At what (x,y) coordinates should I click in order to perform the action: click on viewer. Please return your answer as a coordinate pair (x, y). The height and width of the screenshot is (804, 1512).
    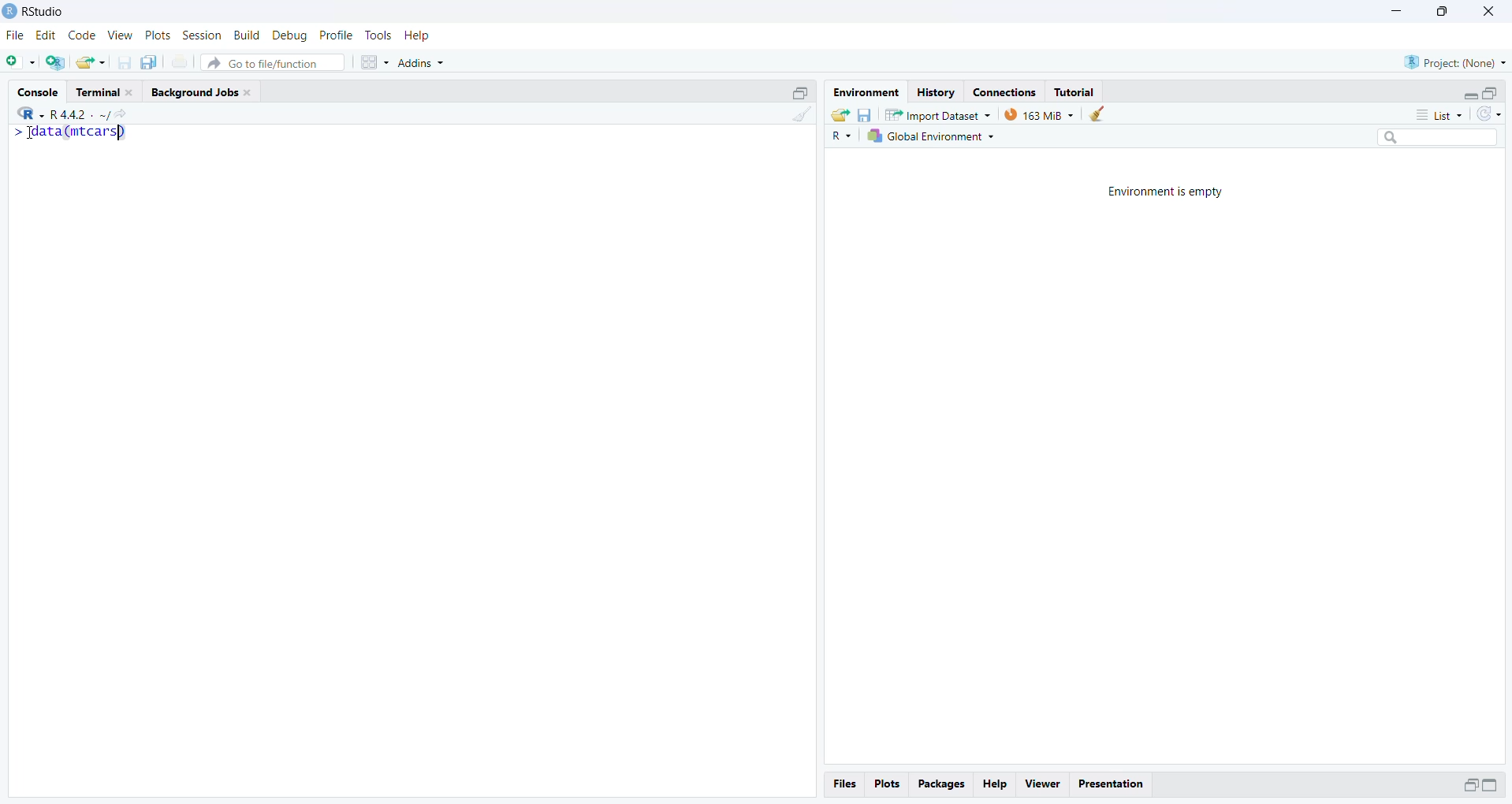
    Looking at the image, I should click on (1045, 784).